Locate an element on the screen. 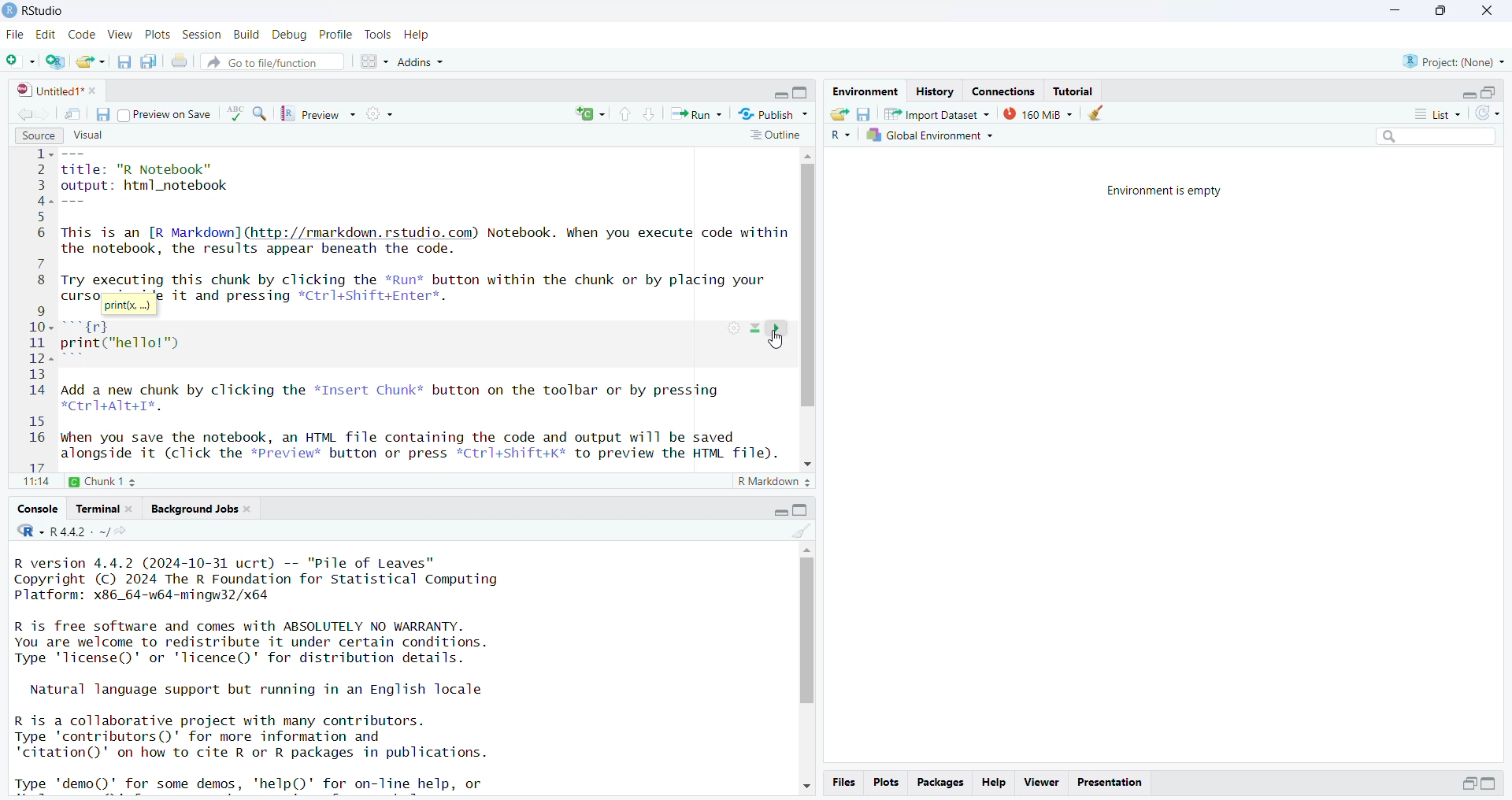 The height and width of the screenshot is (800, 1512). go backward is located at coordinates (22, 112).